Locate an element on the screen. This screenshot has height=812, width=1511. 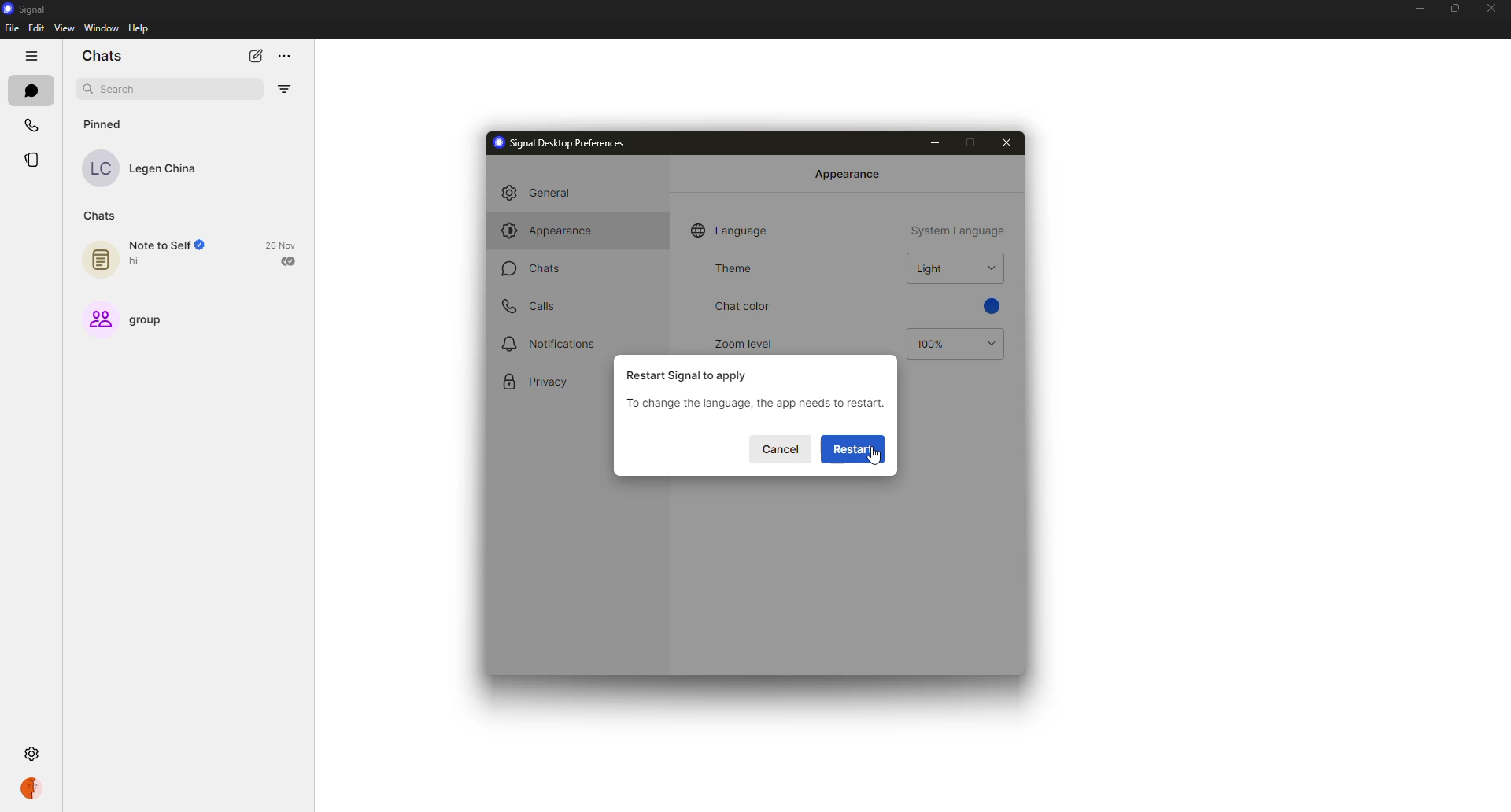
sent is located at coordinates (289, 261).